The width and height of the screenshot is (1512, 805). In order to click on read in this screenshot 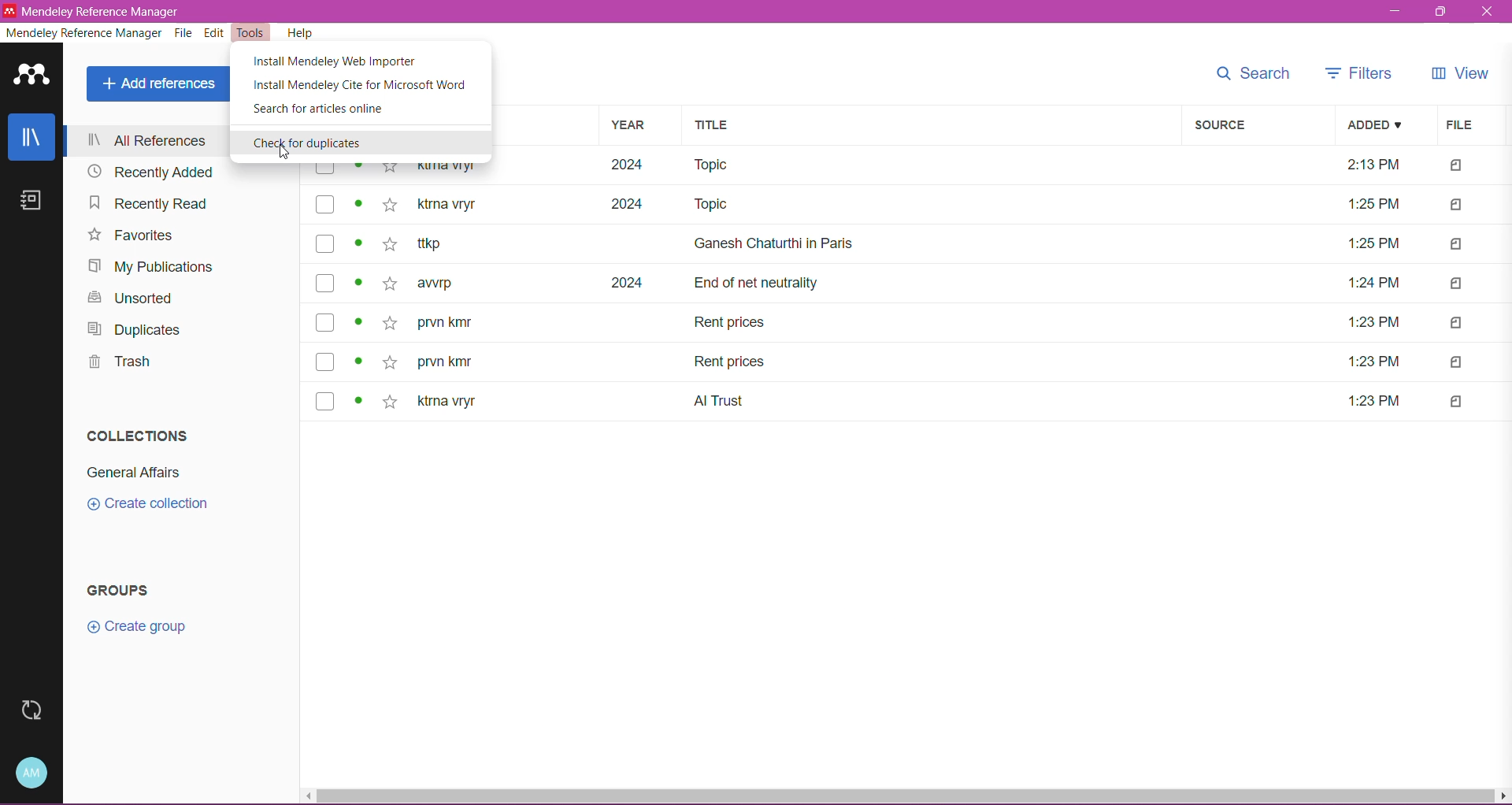, I will do `click(358, 244)`.